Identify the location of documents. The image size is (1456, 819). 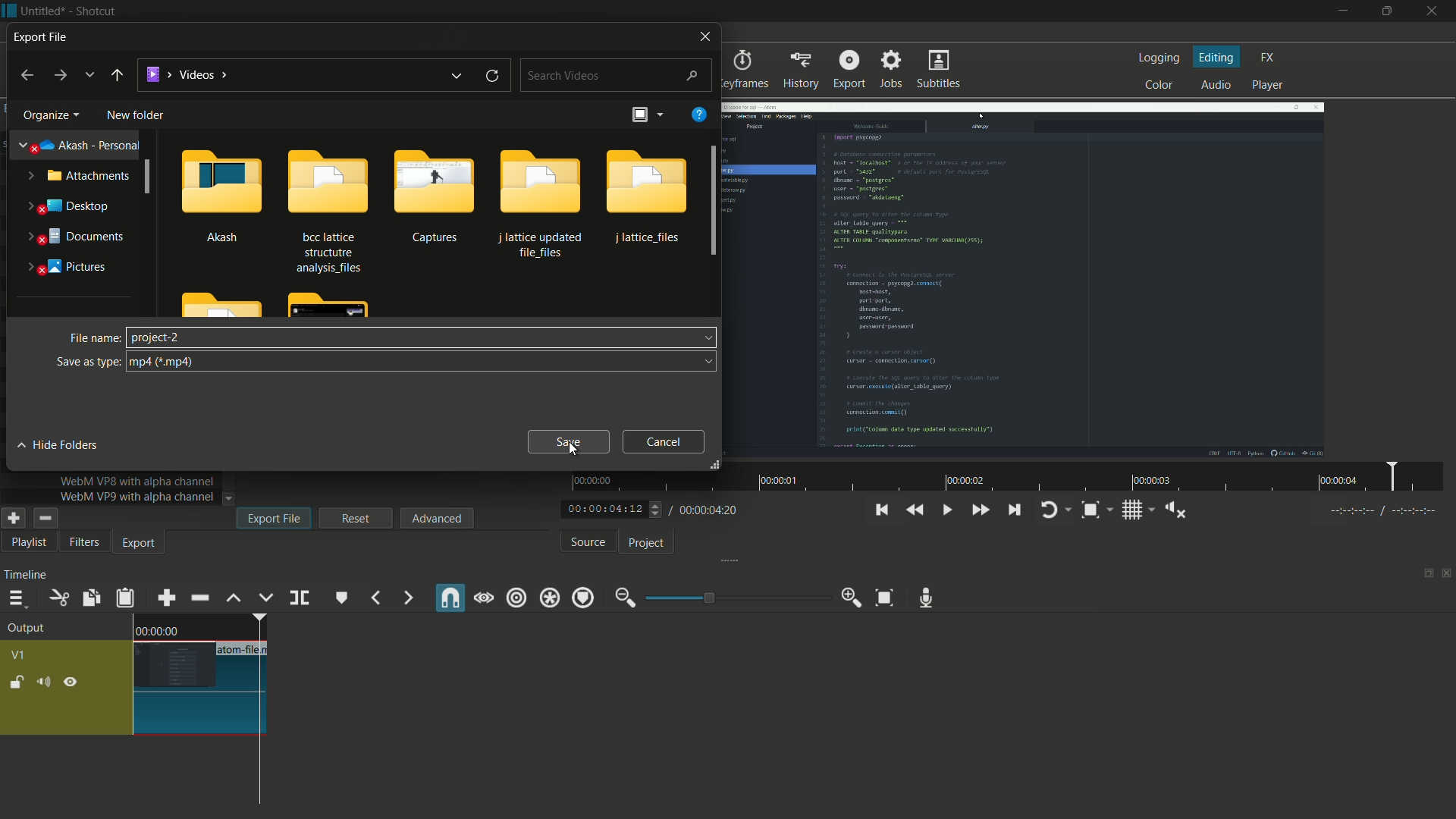
(72, 237).